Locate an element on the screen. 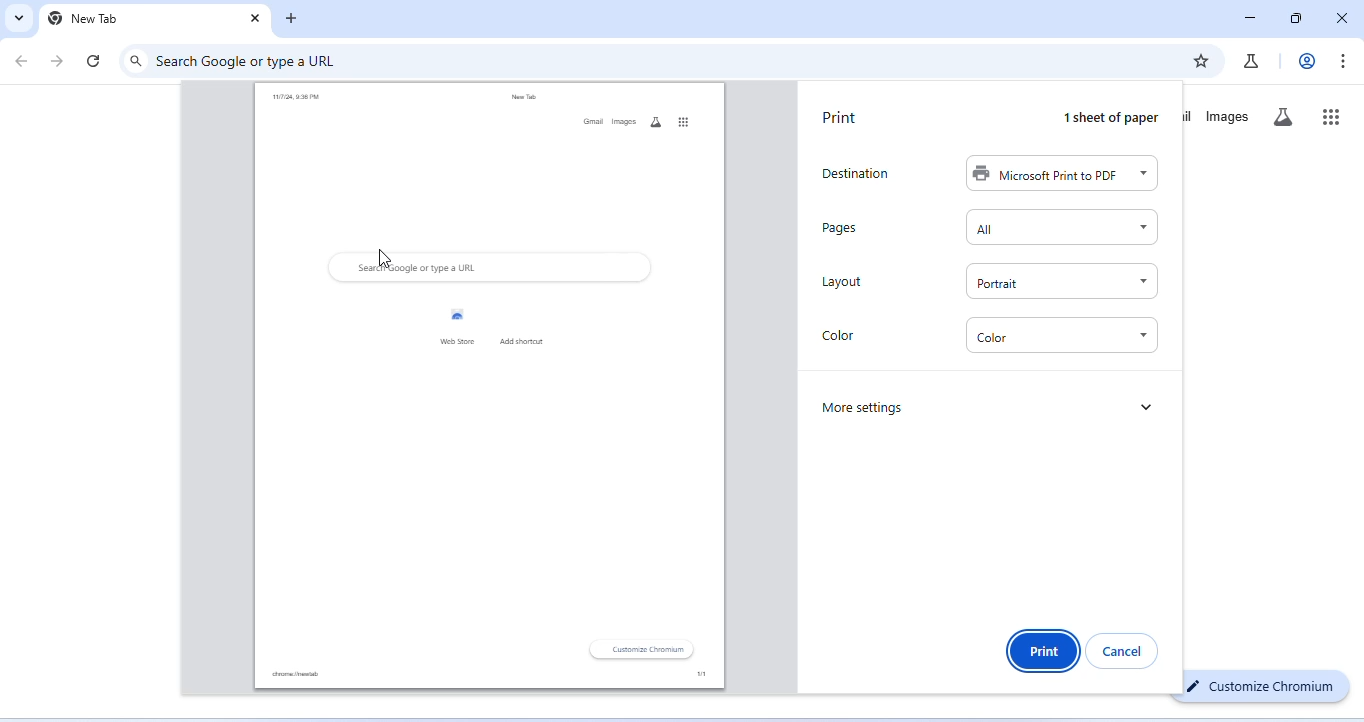 The width and height of the screenshot is (1364, 722). google apps is located at coordinates (1332, 115).